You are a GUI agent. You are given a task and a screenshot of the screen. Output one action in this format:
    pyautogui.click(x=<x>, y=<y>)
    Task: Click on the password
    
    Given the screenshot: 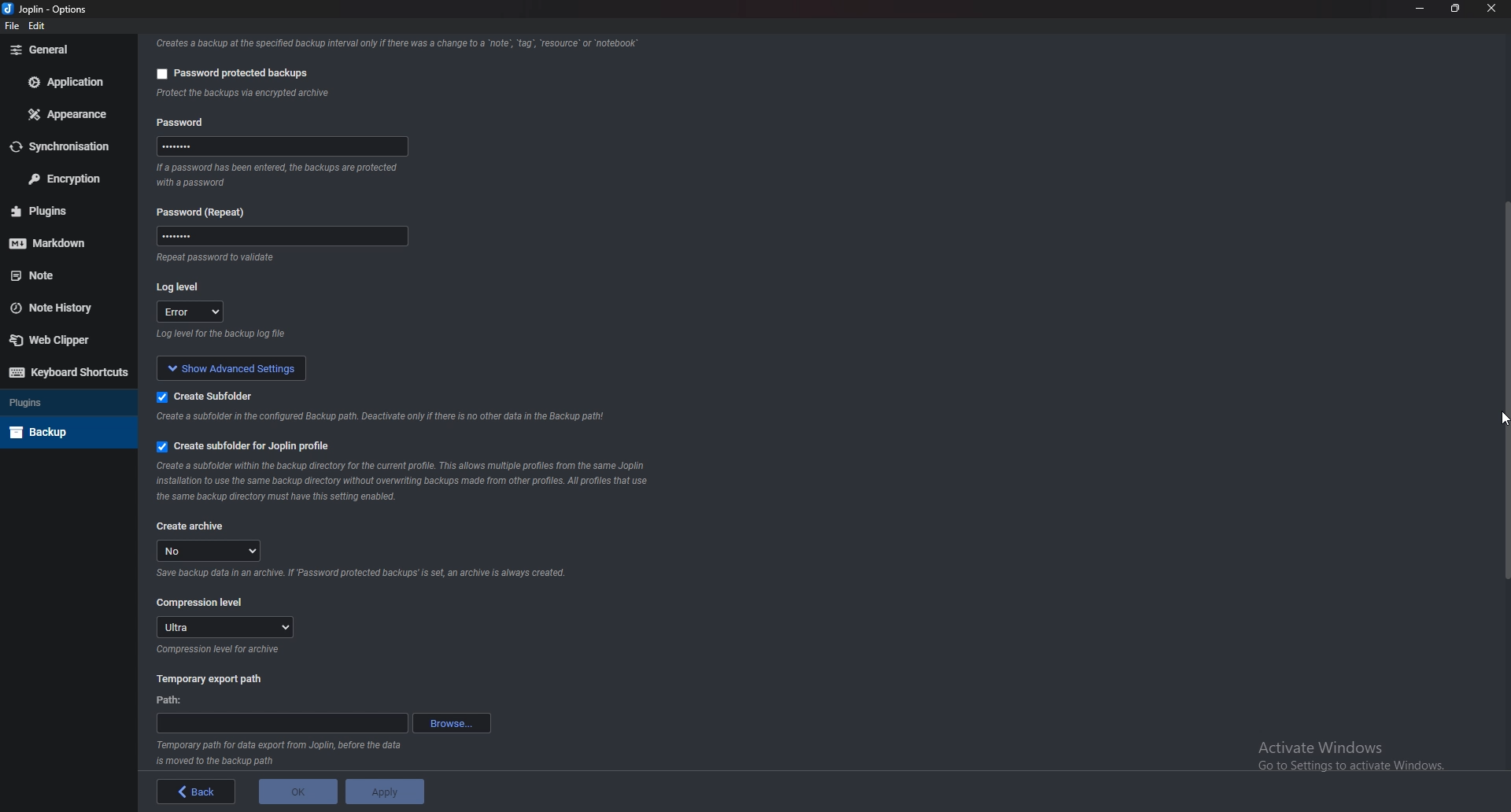 What is the action you would take?
    pyautogui.click(x=277, y=238)
    